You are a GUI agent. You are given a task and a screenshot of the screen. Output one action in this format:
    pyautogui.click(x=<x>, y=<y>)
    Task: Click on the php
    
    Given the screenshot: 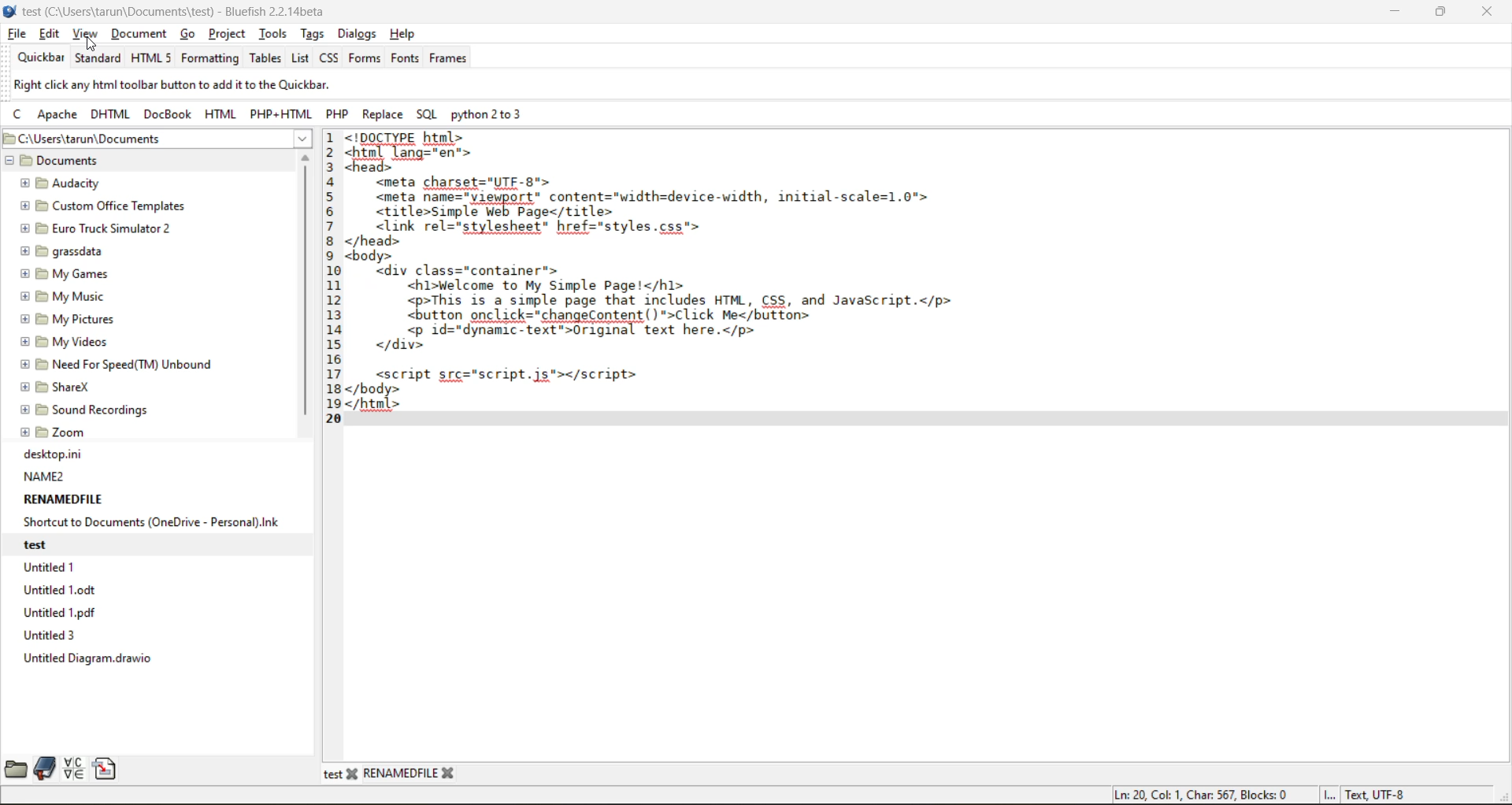 What is the action you would take?
    pyautogui.click(x=341, y=115)
    